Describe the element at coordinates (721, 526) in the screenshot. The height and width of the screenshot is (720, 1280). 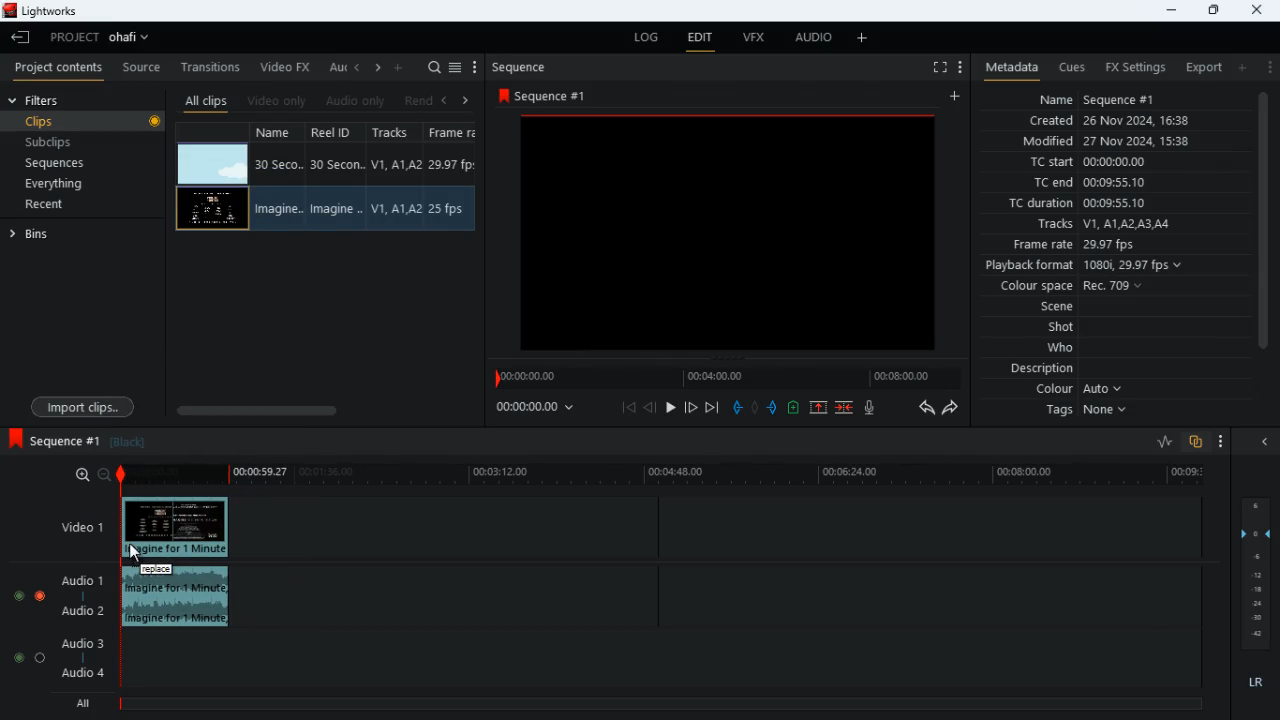
I see `timeline tracks` at that location.